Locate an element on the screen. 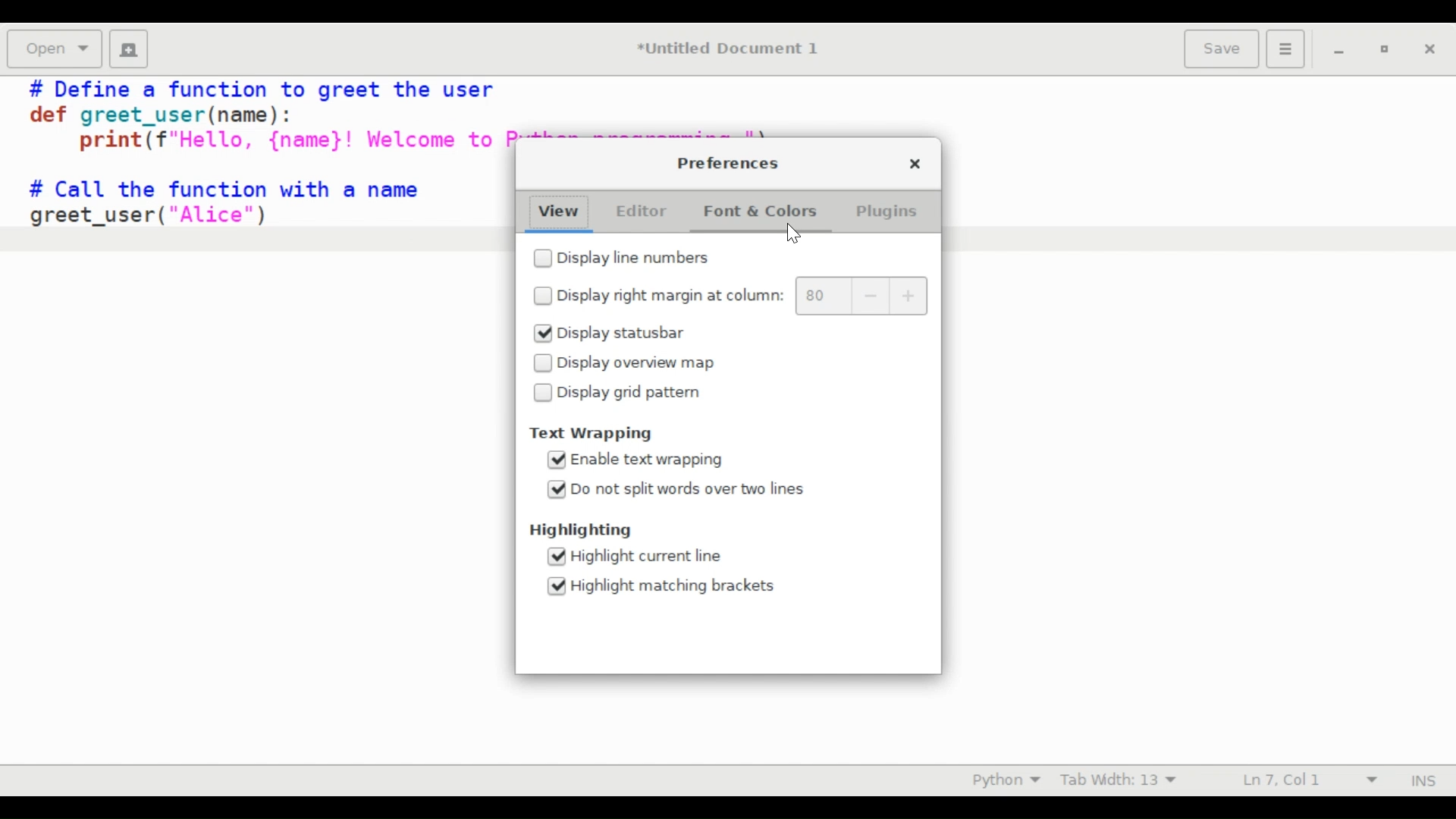 The width and height of the screenshot is (1456, 819). Font & Colors is located at coordinates (758, 209).